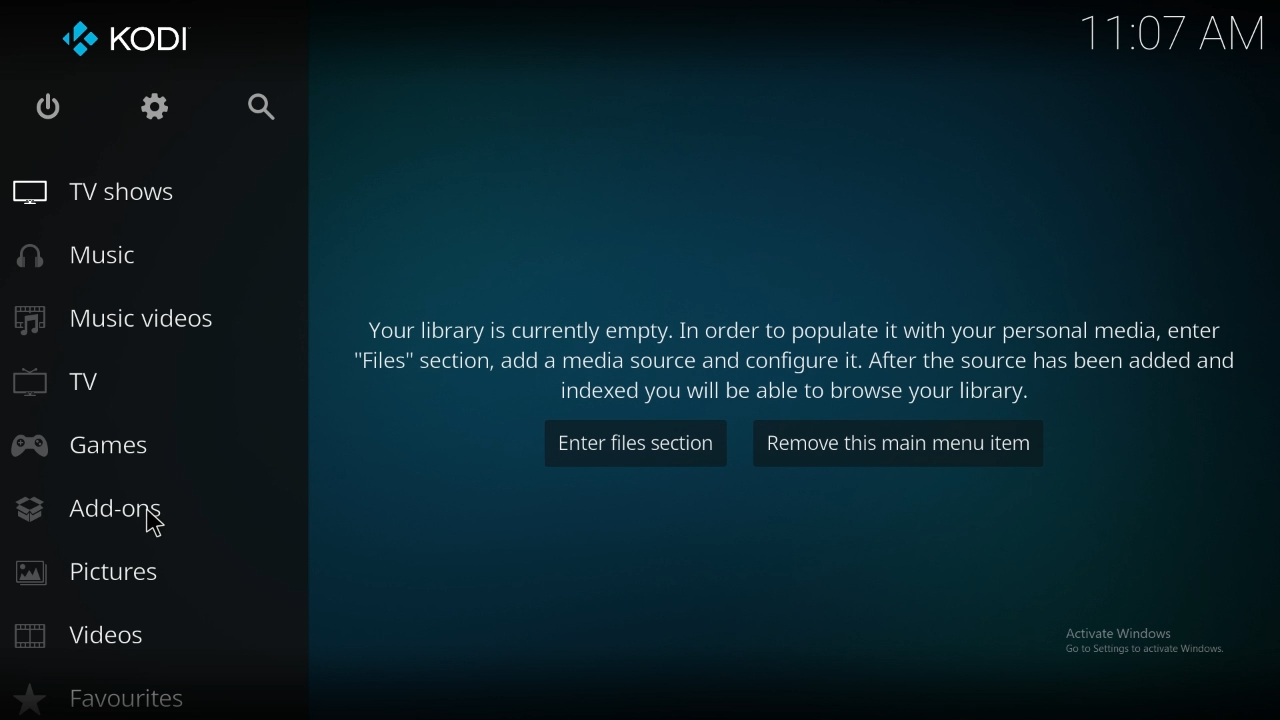 This screenshot has width=1280, height=720. What do you see at coordinates (901, 443) in the screenshot?
I see `remove item` at bounding box center [901, 443].